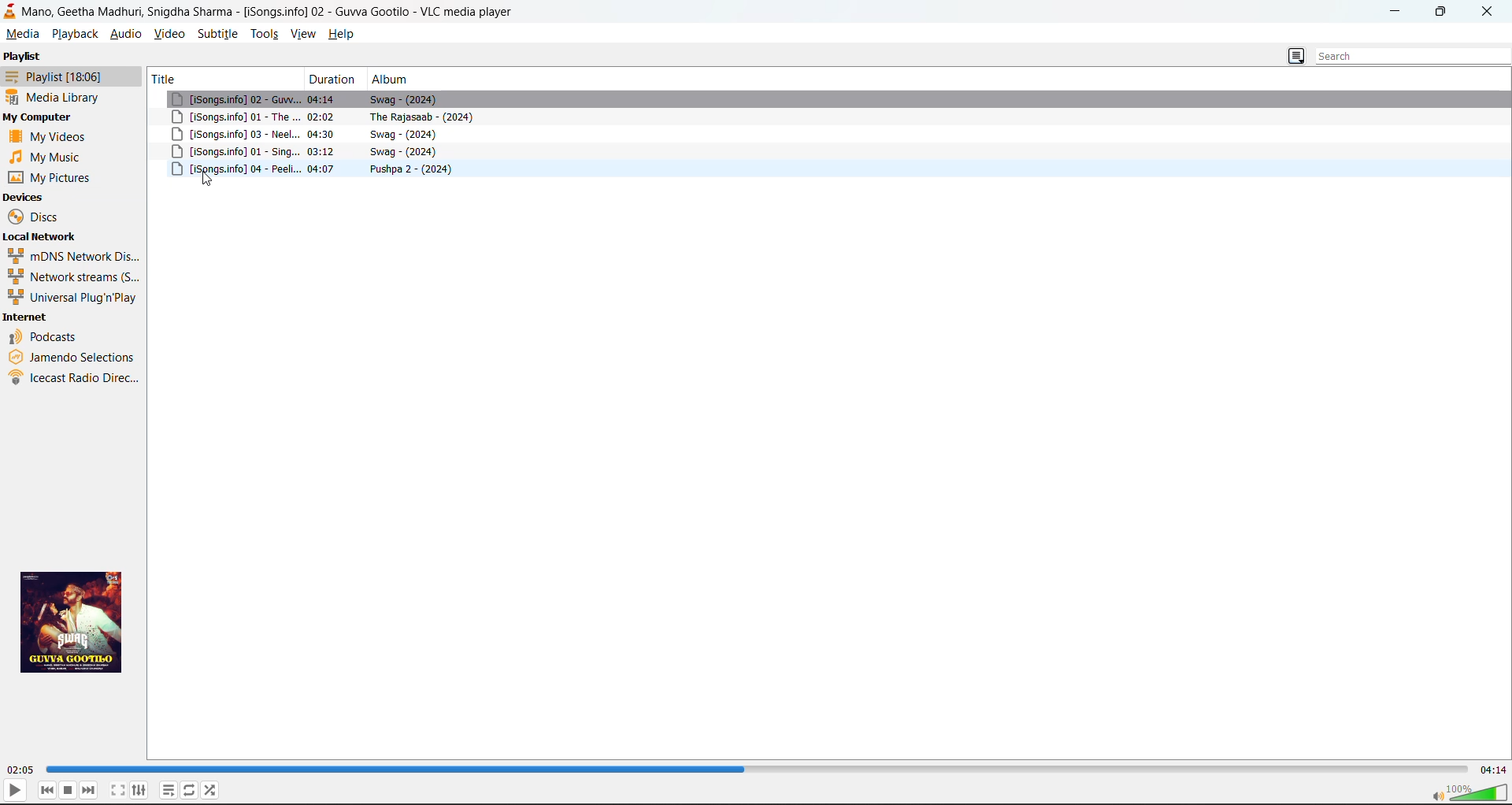 The width and height of the screenshot is (1512, 805). What do you see at coordinates (69, 790) in the screenshot?
I see `stop` at bounding box center [69, 790].